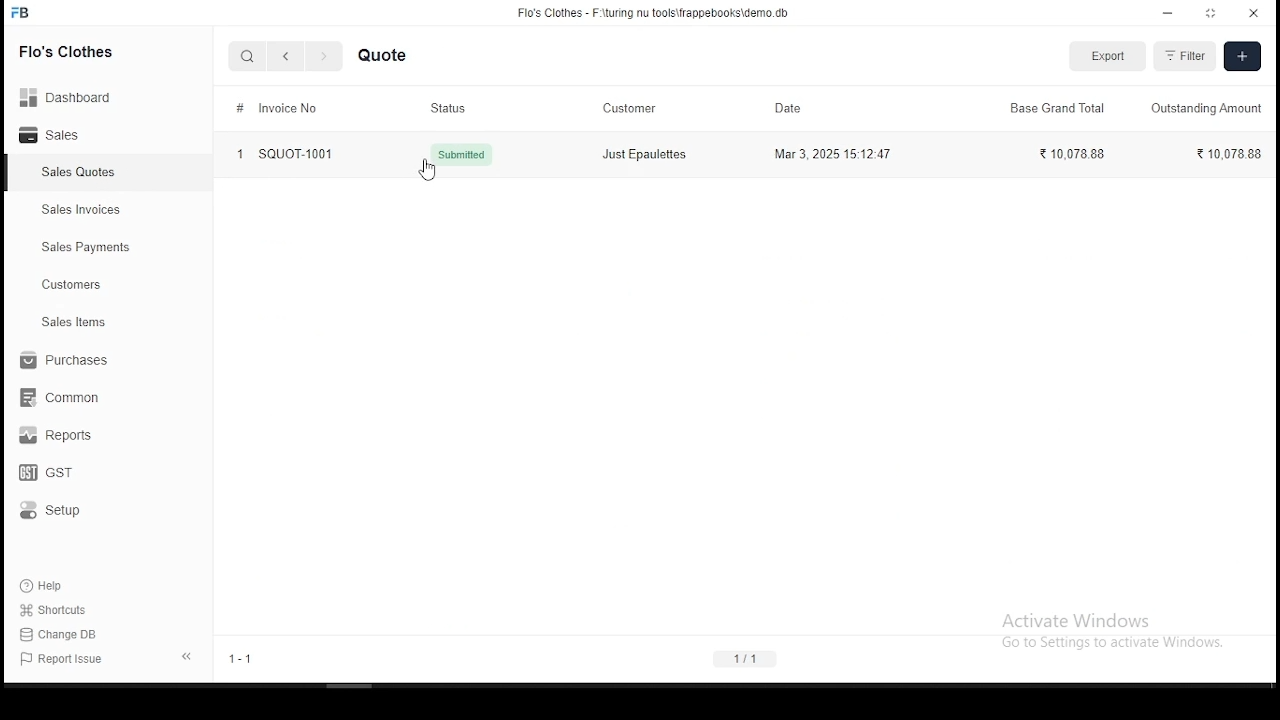 The height and width of the screenshot is (720, 1280). I want to click on date, so click(789, 112).